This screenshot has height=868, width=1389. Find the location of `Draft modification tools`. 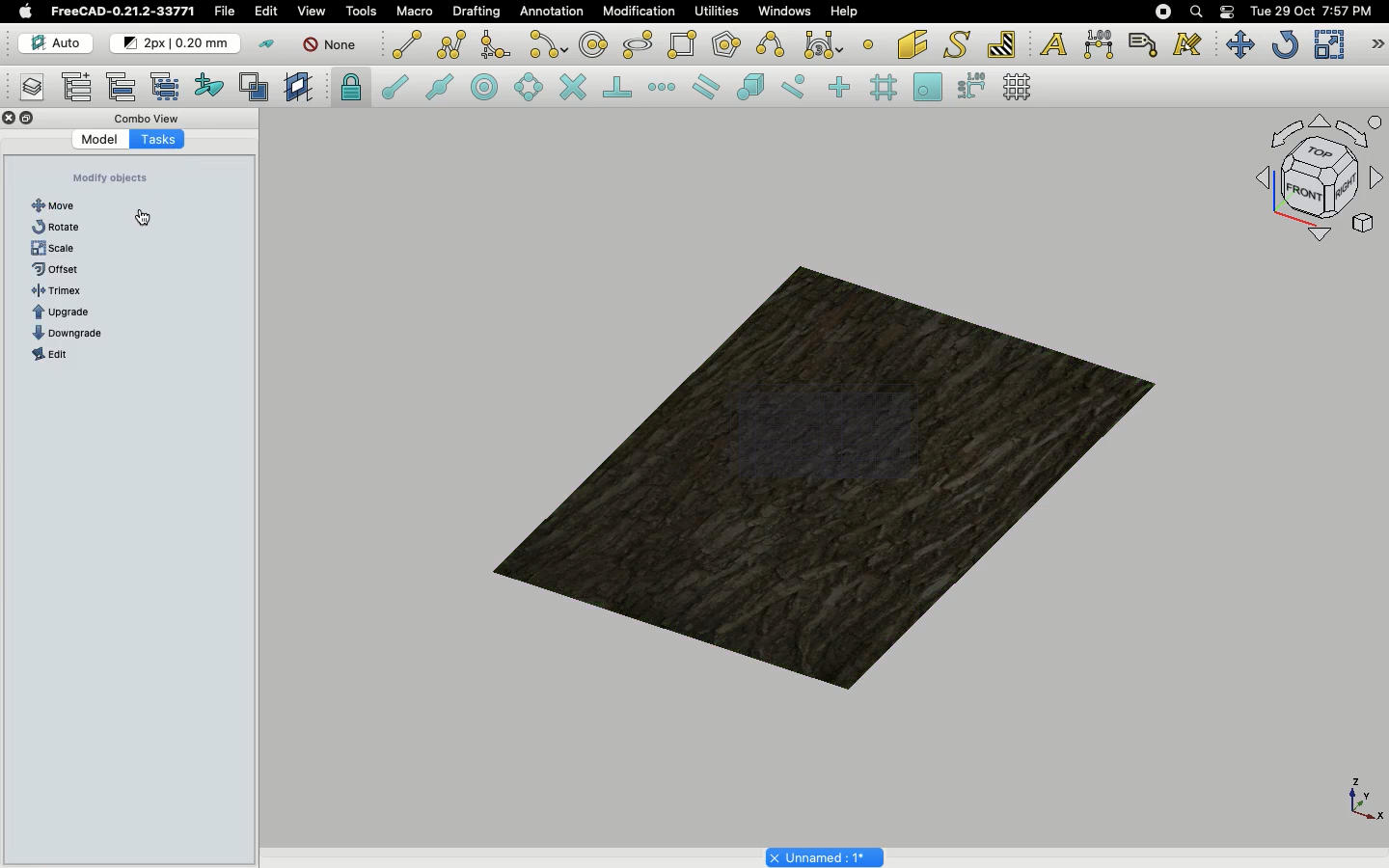

Draft modification tools is located at coordinates (1376, 46).